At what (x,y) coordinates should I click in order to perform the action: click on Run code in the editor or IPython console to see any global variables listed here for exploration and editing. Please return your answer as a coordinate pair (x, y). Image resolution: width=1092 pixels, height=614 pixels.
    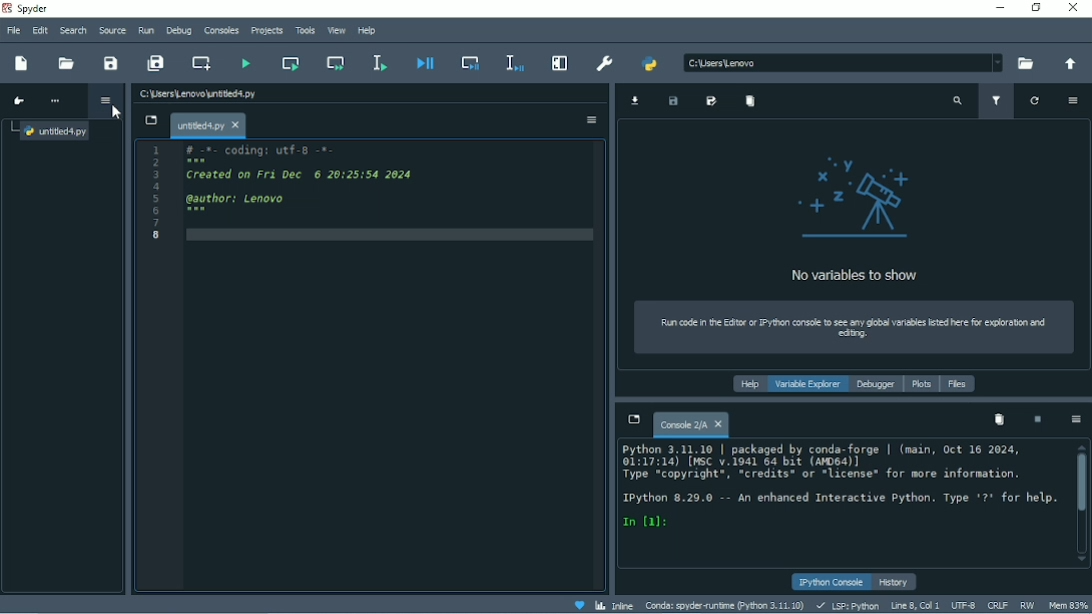
    Looking at the image, I should click on (852, 330).